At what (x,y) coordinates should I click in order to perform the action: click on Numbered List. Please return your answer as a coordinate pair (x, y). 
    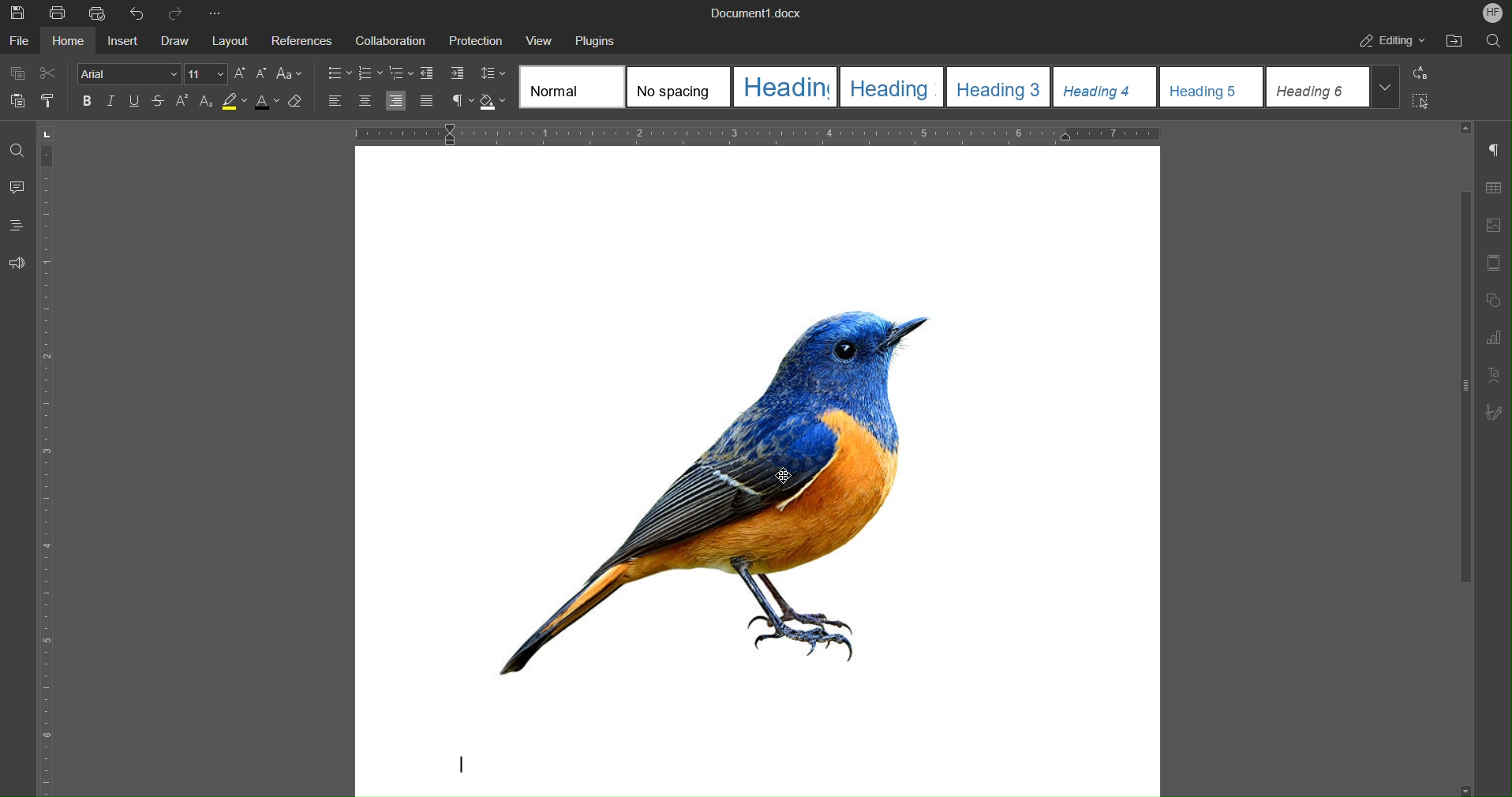
    Looking at the image, I should click on (370, 74).